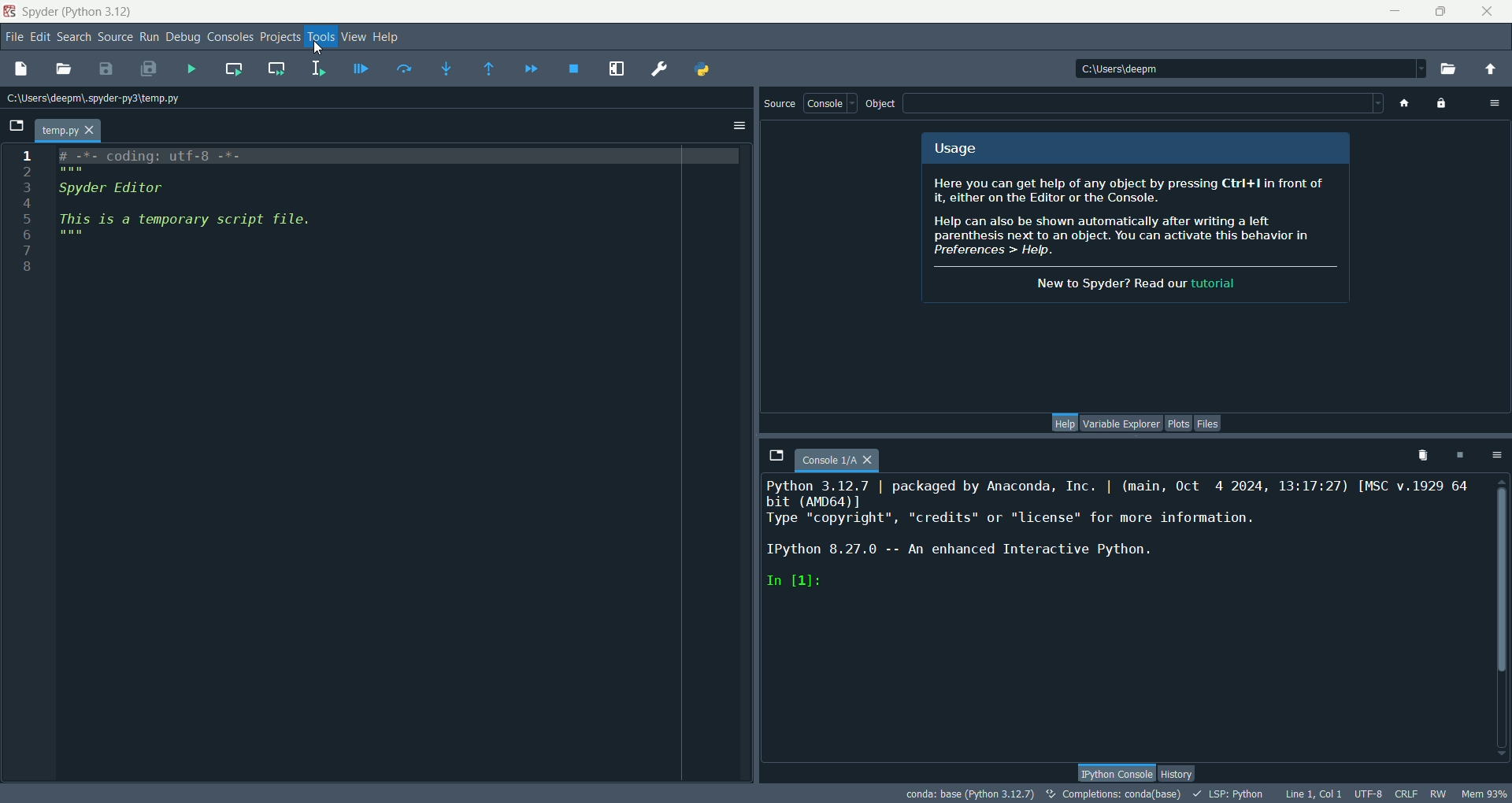  I want to click on run current cell and go to next one, so click(279, 71).